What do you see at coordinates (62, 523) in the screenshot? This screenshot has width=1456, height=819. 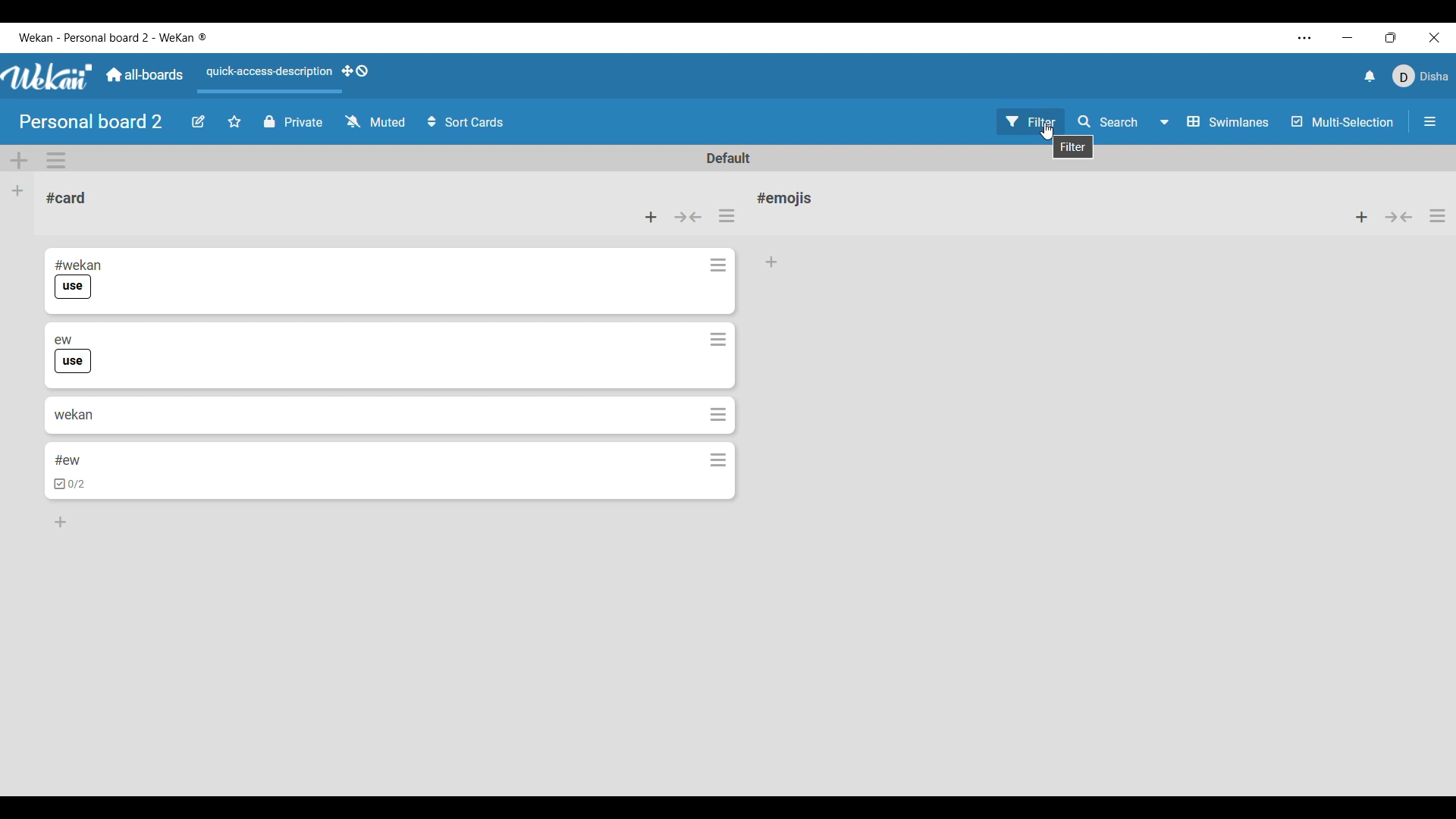 I see `Add card to bottom of list` at bounding box center [62, 523].